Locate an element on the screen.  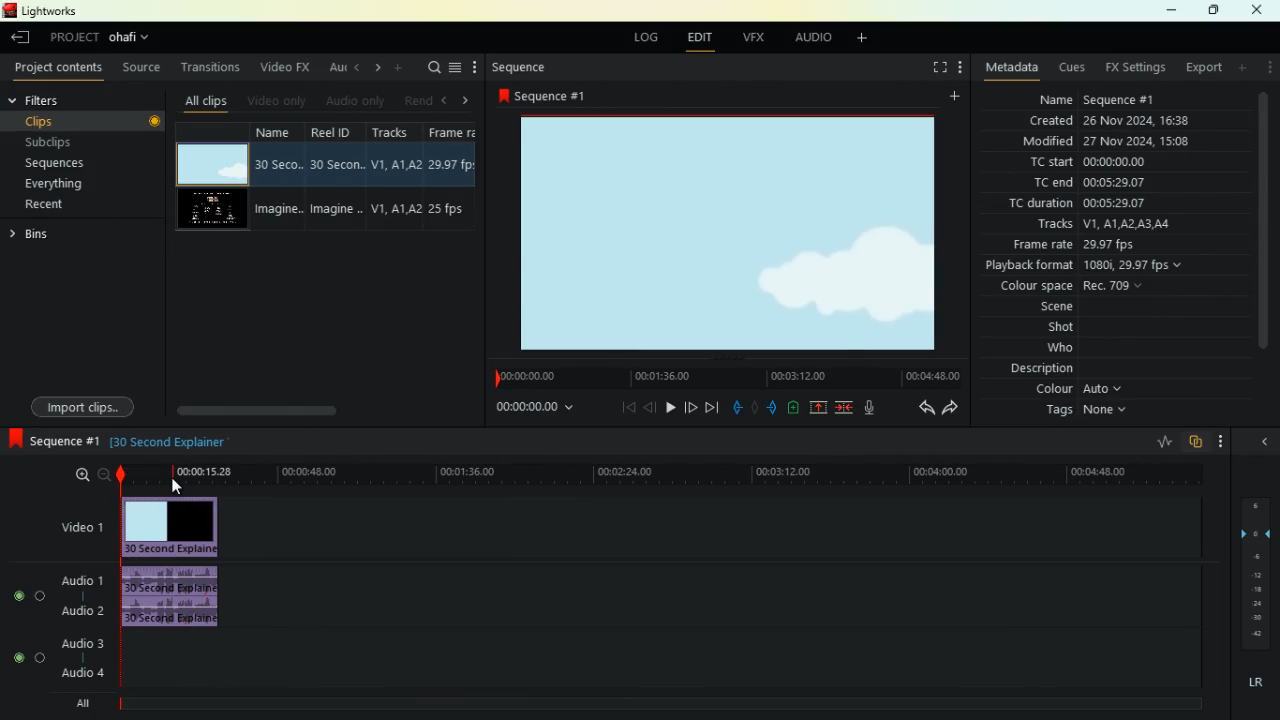
recent is located at coordinates (54, 204).